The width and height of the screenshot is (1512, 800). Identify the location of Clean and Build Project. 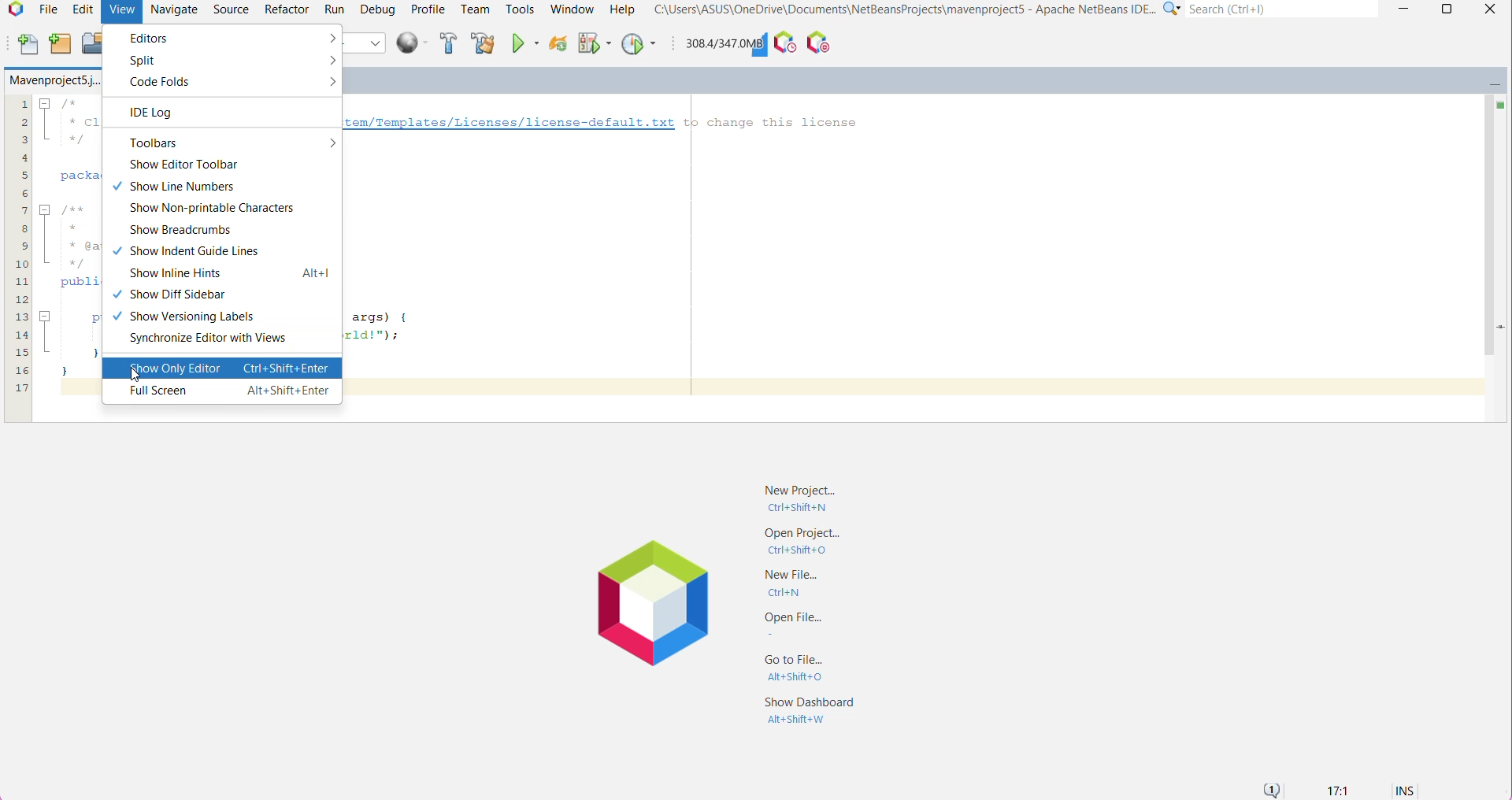
(483, 45).